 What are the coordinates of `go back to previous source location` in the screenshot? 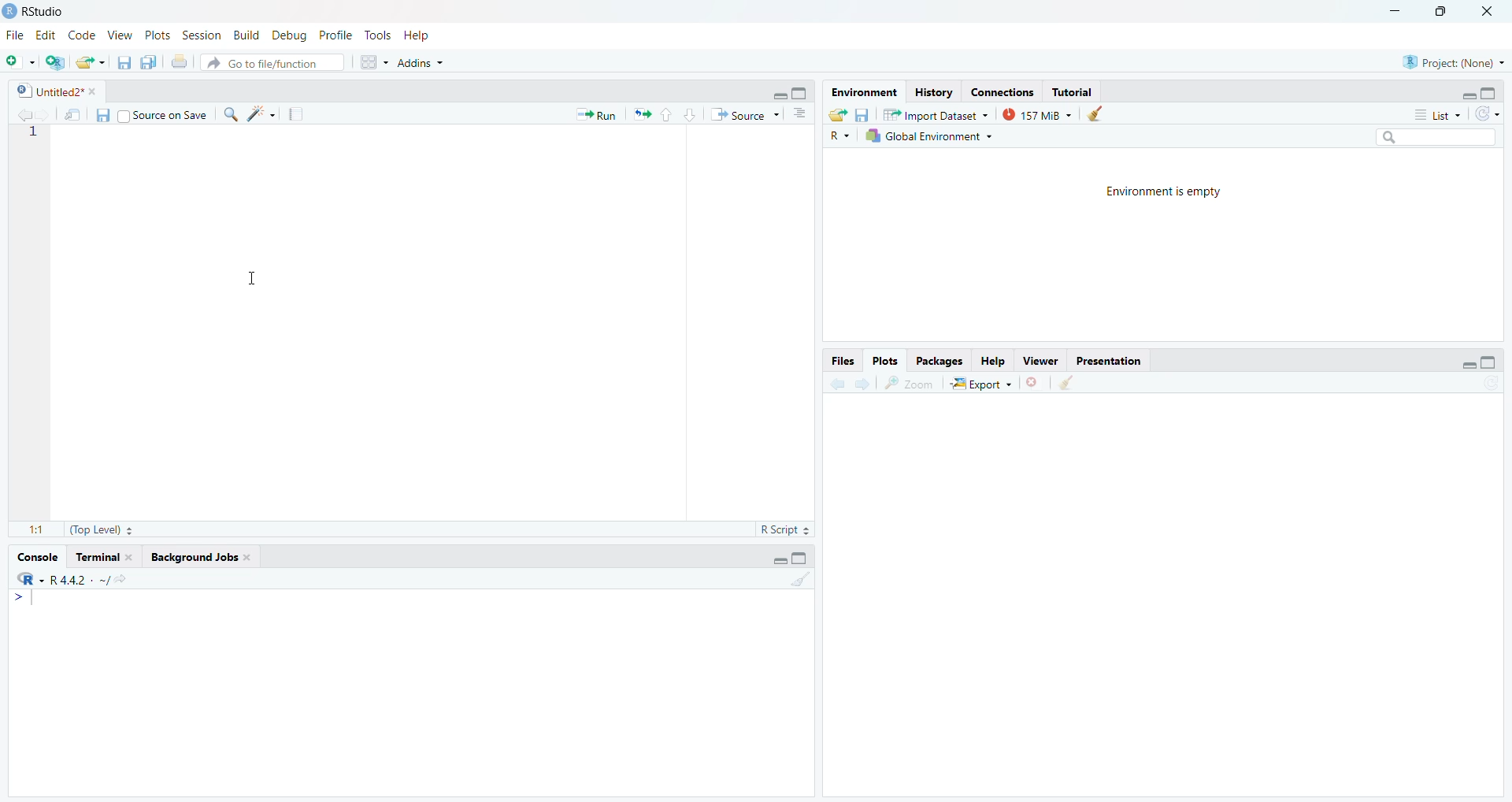 It's located at (28, 113).